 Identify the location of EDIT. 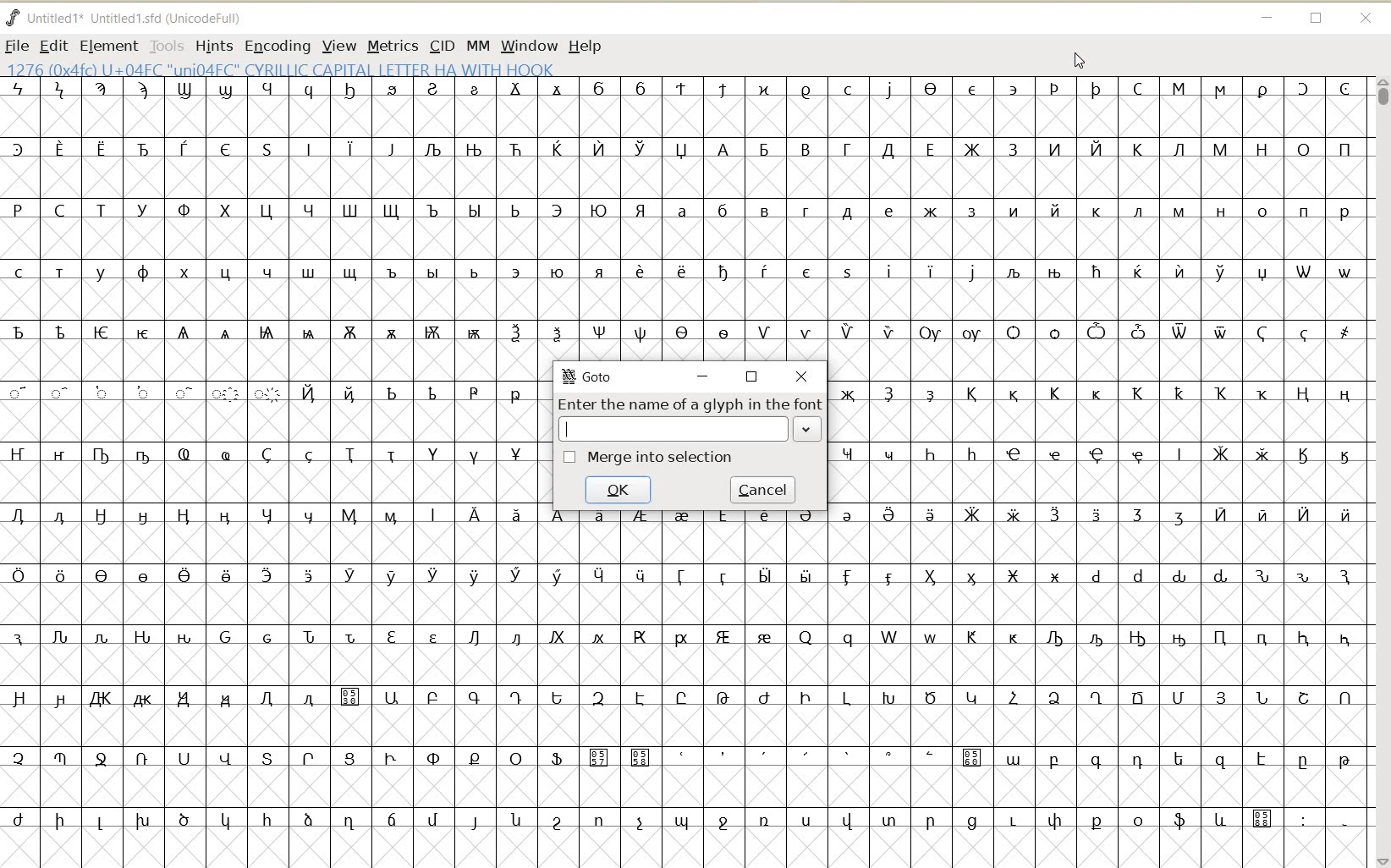
(53, 46).